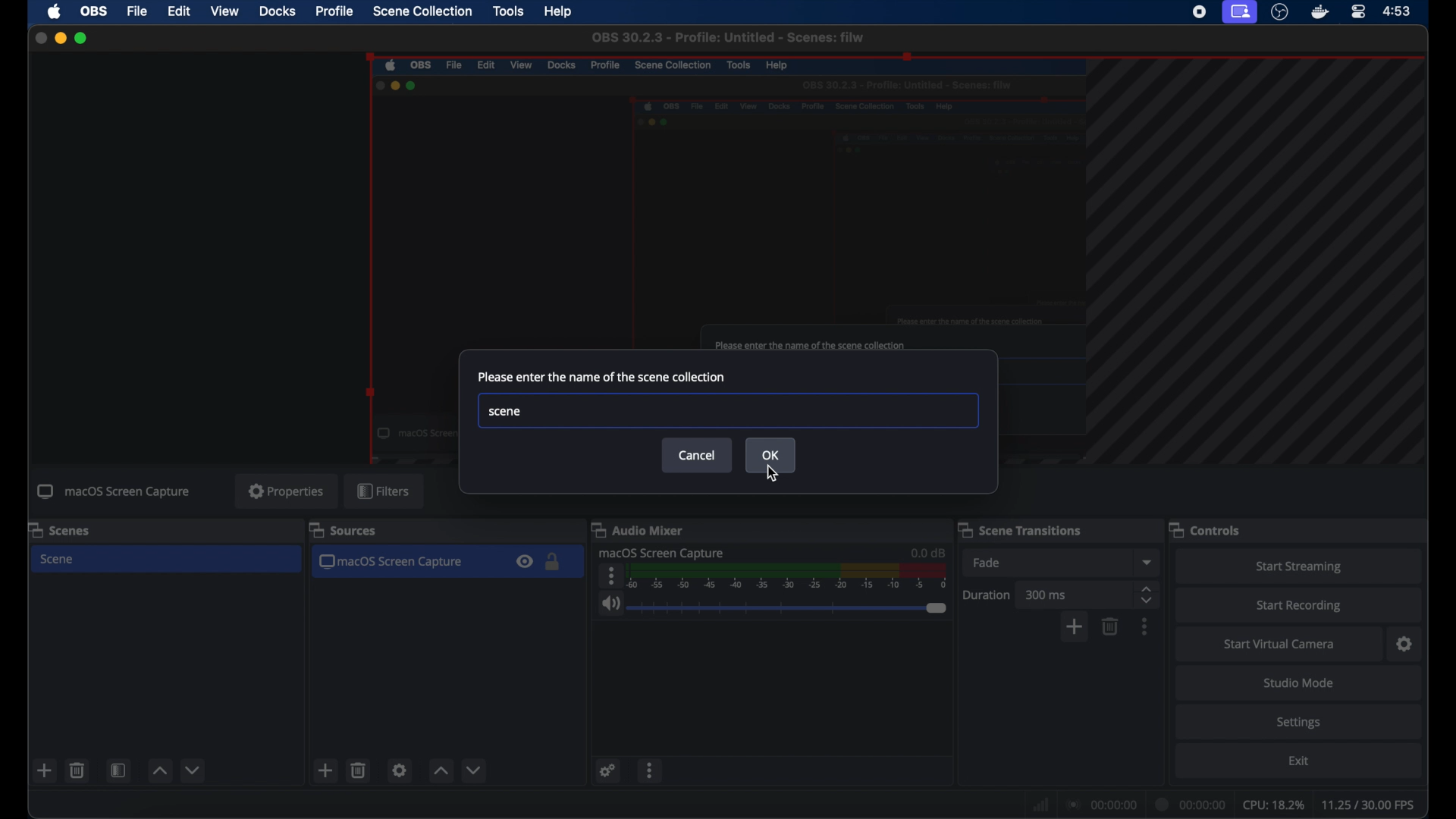  What do you see at coordinates (1040, 803) in the screenshot?
I see `network` at bounding box center [1040, 803].